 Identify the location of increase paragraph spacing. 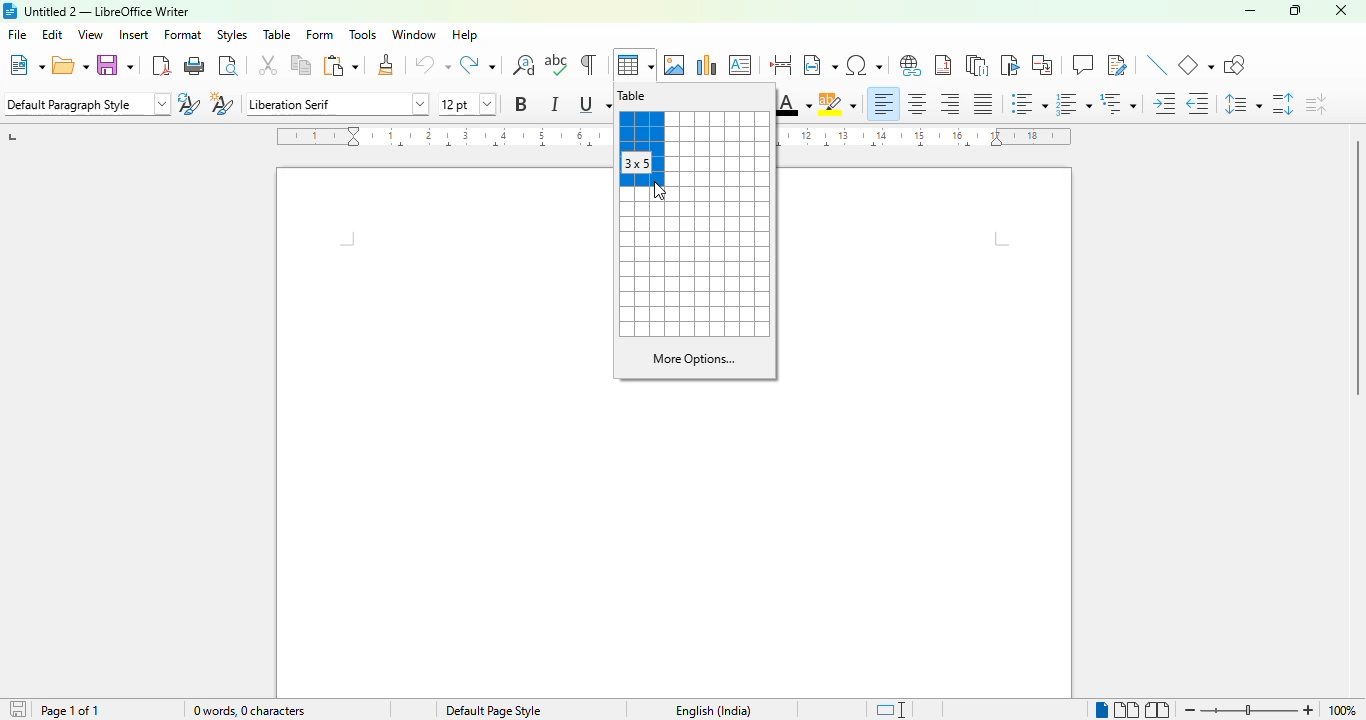
(1284, 104).